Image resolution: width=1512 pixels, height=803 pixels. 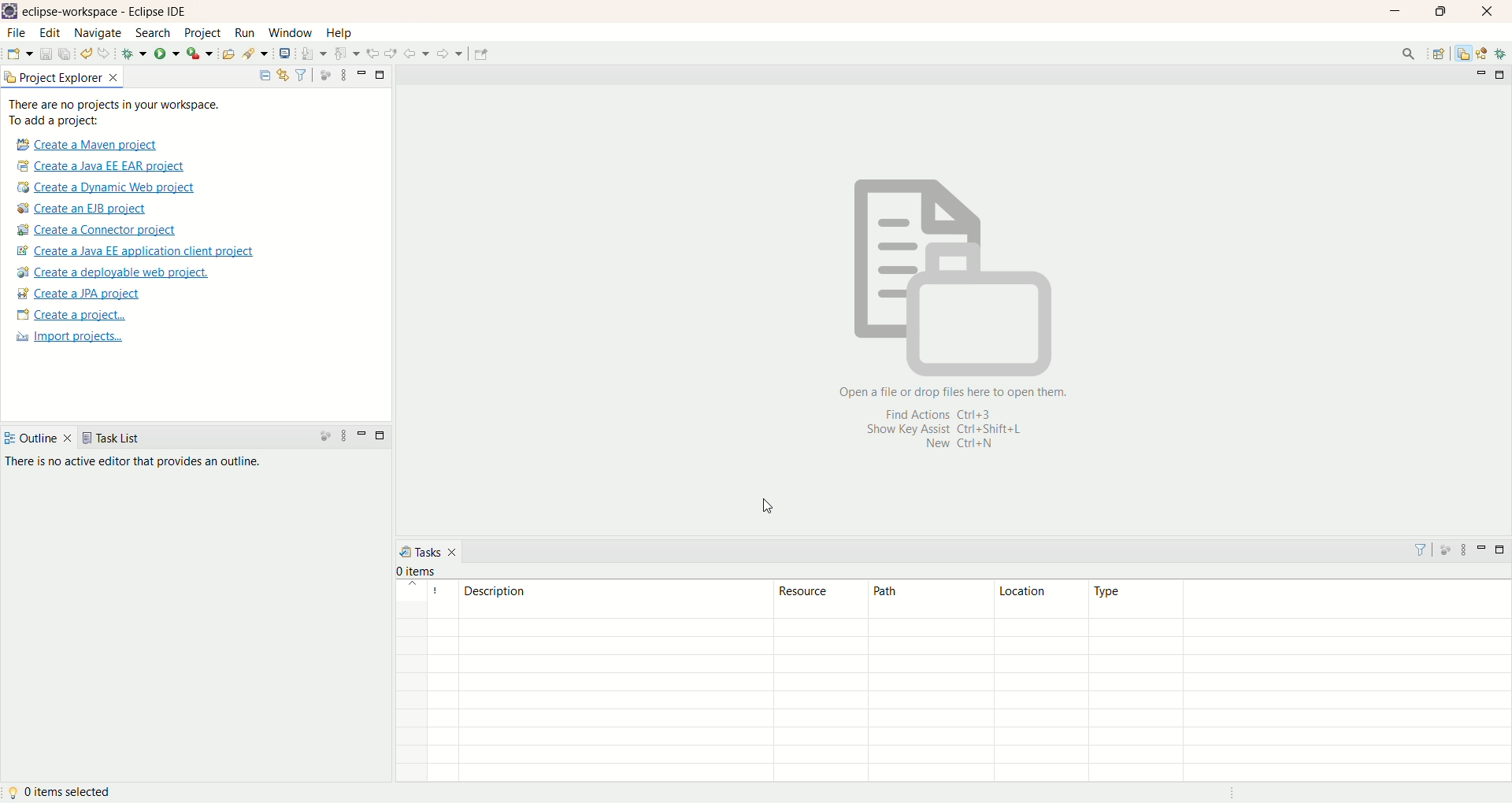 What do you see at coordinates (391, 54) in the screenshot?
I see `next edit location` at bounding box center [391, 54].